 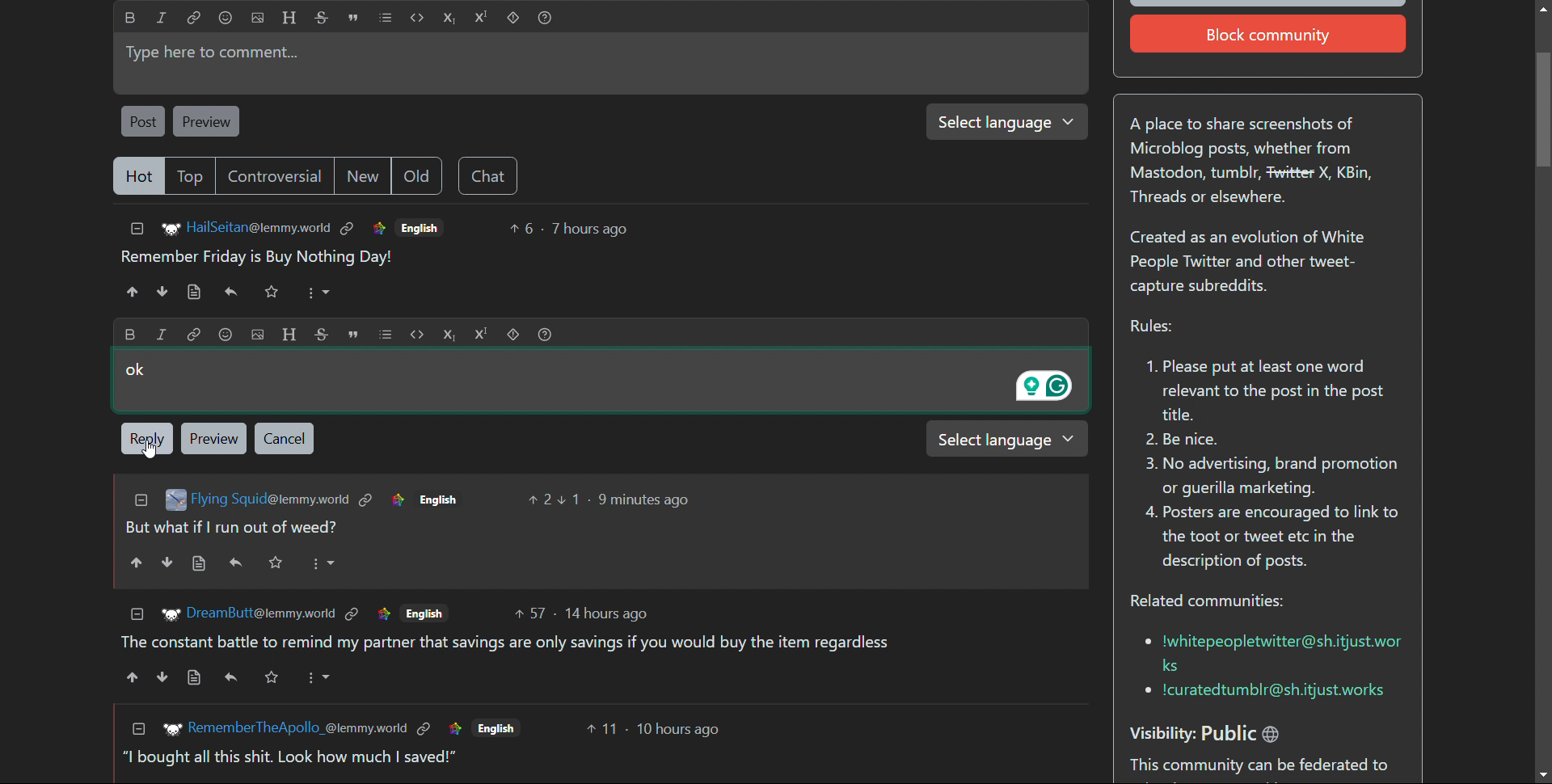 I want to click on reply, so click(x=232, y=291).